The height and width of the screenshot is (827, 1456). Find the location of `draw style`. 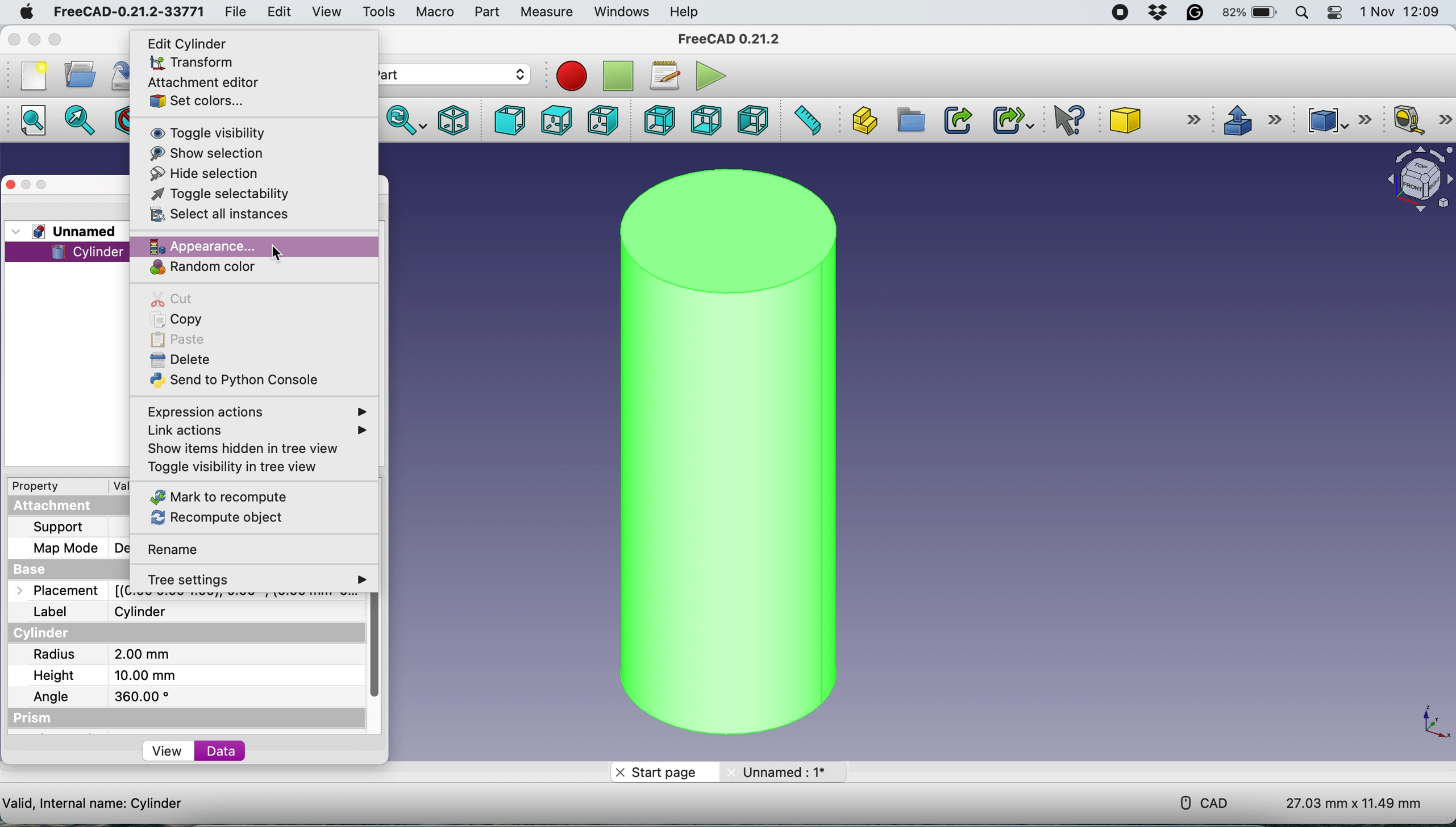

draw style is located at coordinates (122, 122).